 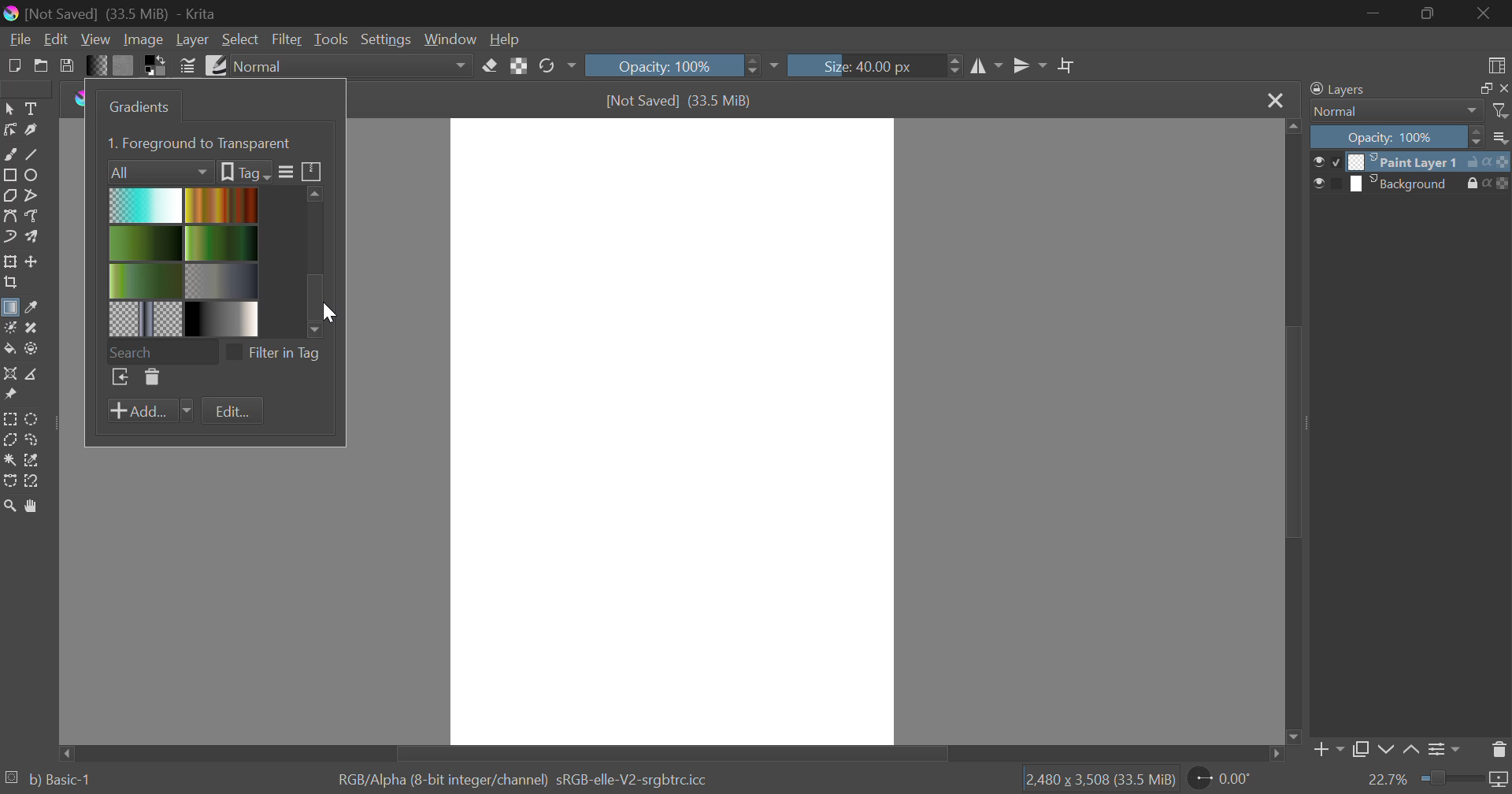 I want to click on preview, so click(x=1326, y=164).